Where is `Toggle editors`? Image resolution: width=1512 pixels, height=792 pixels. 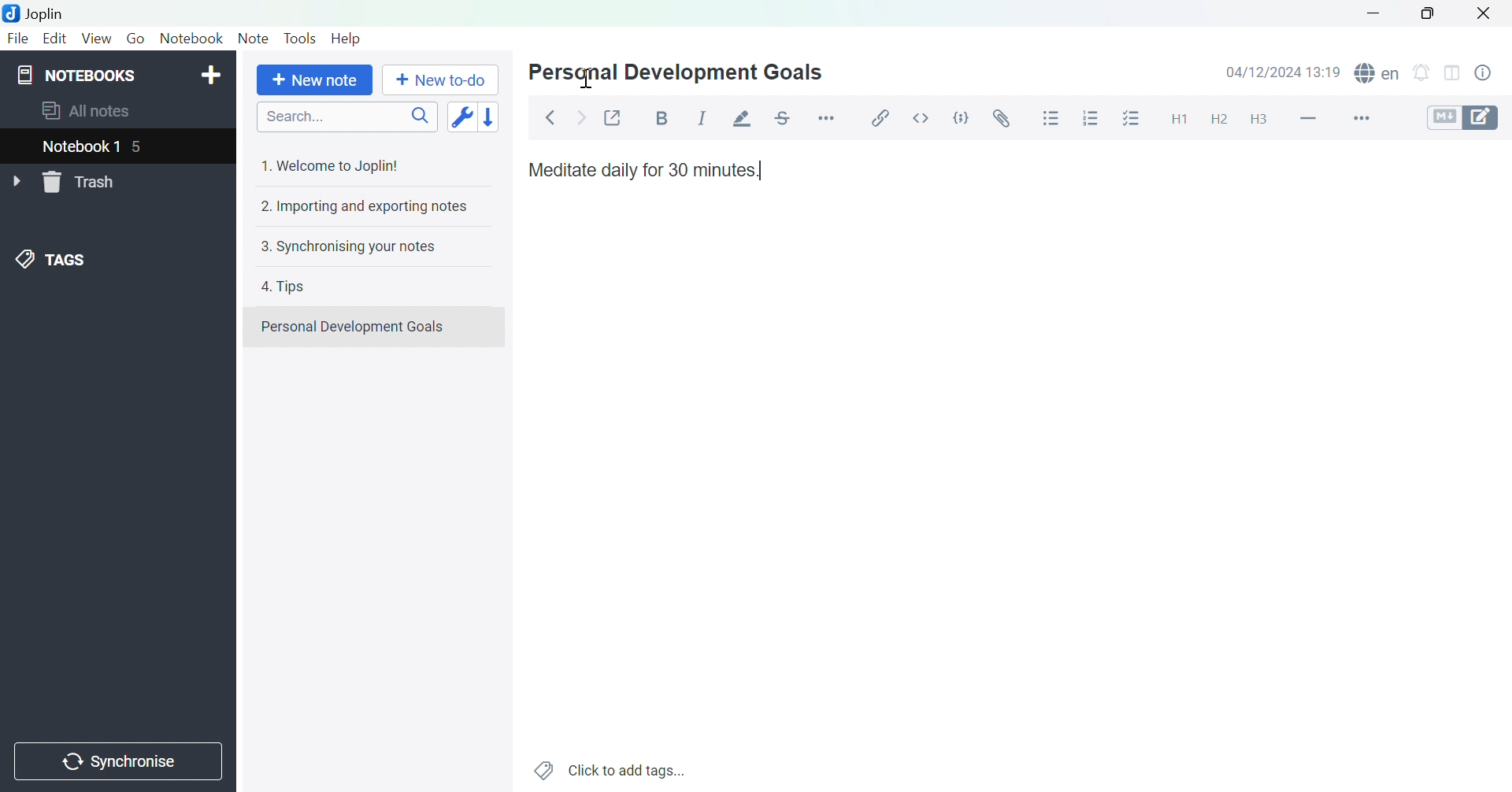 Toggle editors is located at coordinates (1464, 120).